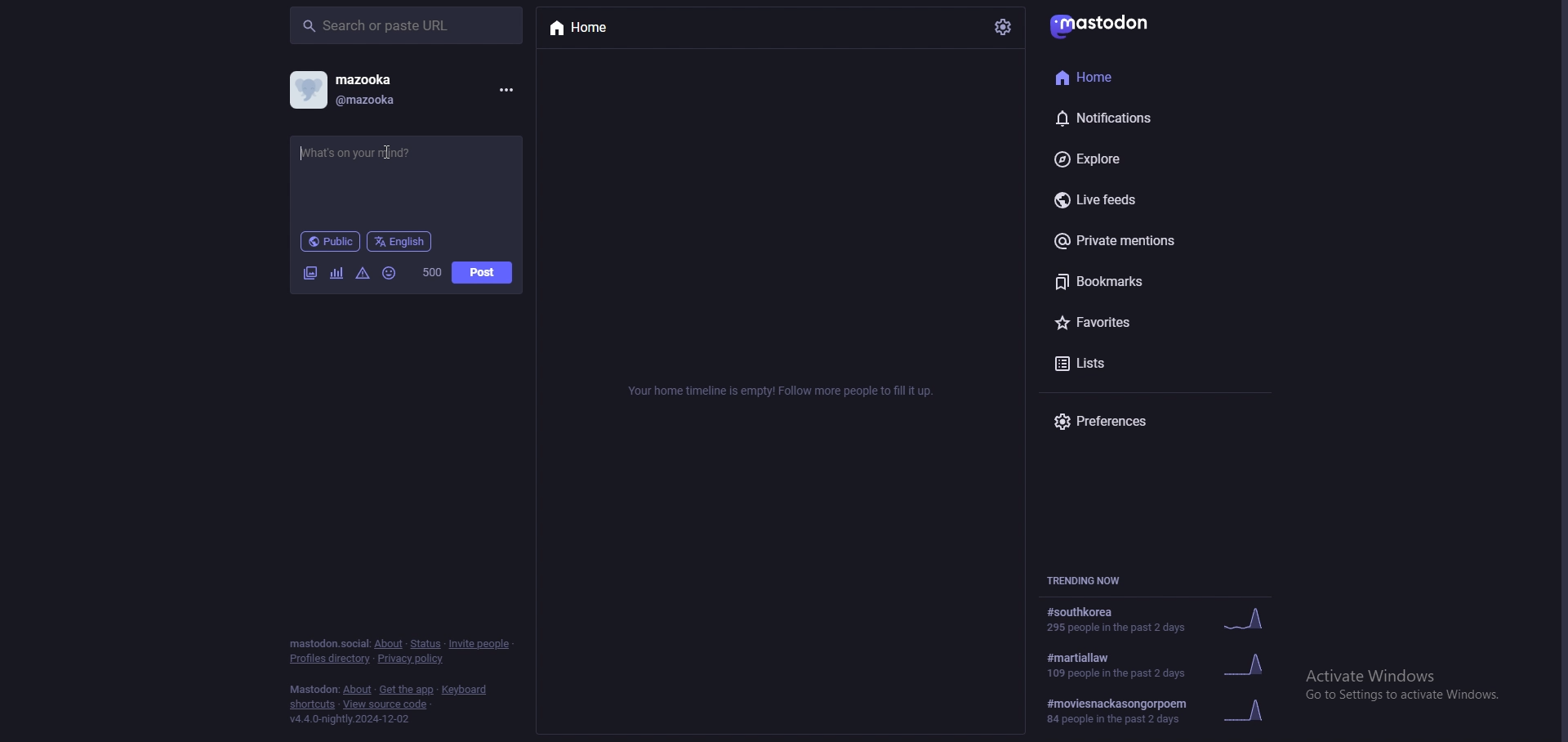 This screenshot has height=742, width=1568. I want to click on trending now, so click(1091, 579).